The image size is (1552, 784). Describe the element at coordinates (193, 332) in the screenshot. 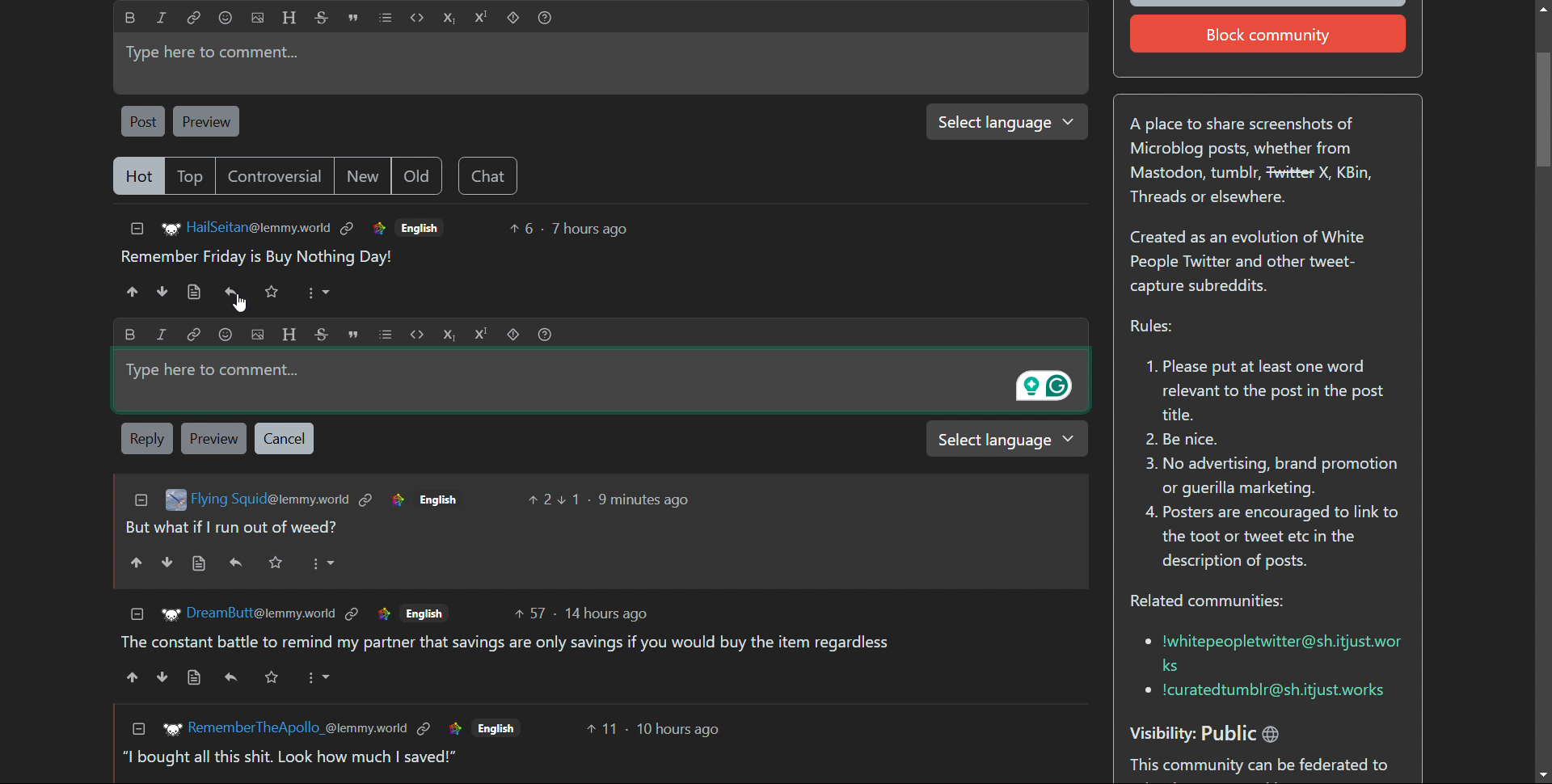

I see `link` at that location.